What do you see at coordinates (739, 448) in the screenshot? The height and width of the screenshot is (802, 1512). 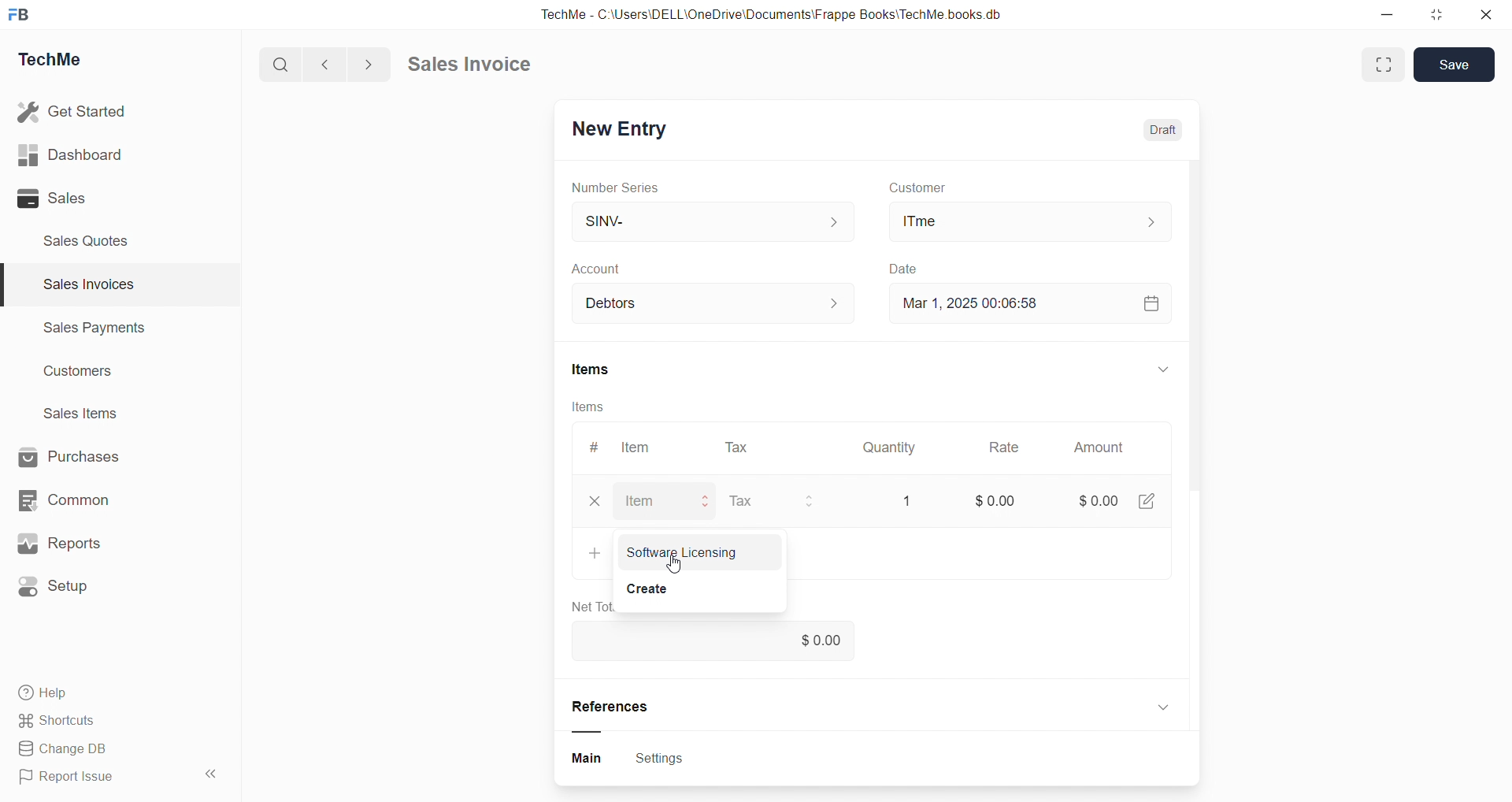 I see `Tax` at bounding box center [739, 448].